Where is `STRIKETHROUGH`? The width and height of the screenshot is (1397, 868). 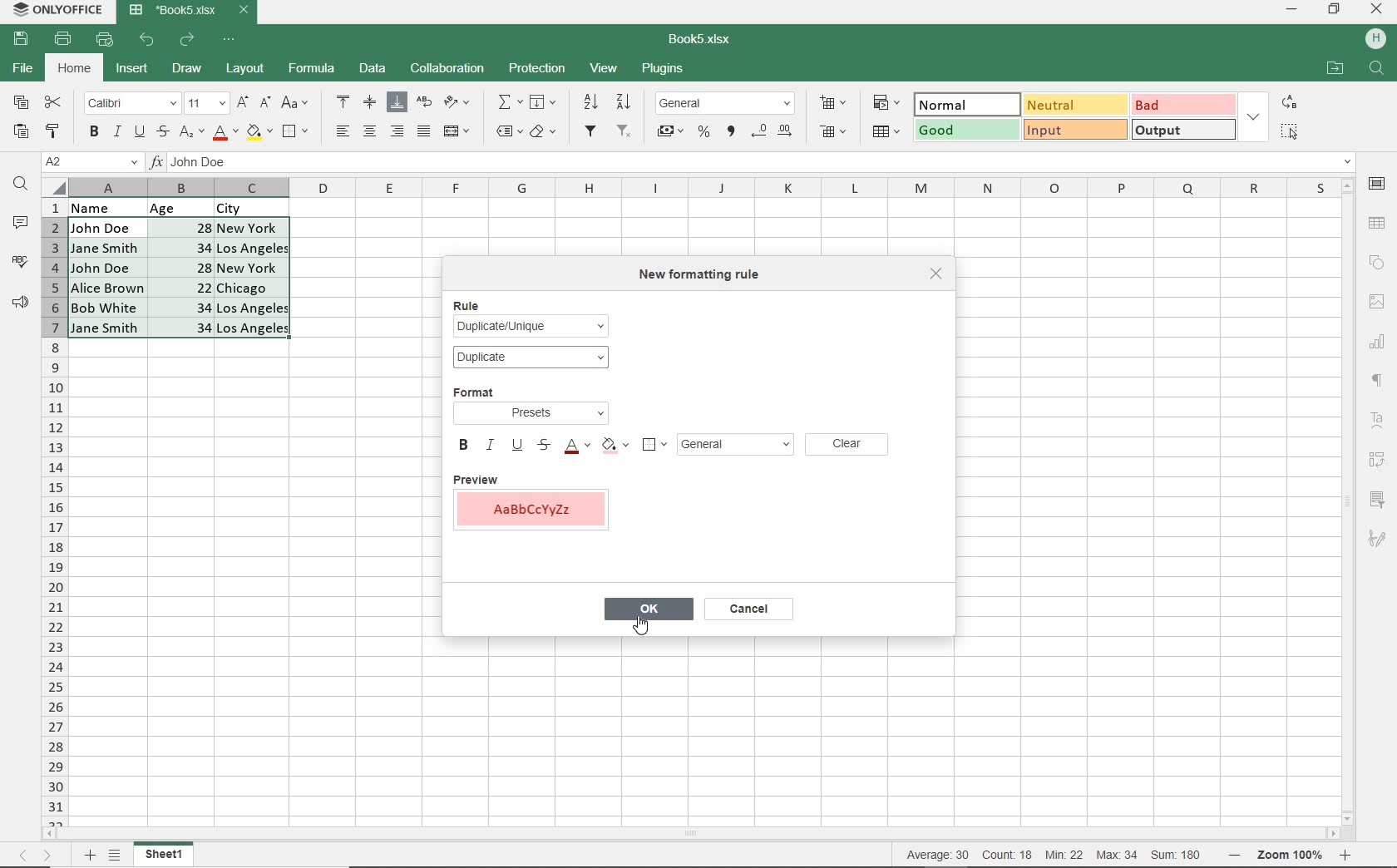
STRIKETHROUGH is located at coordinates (543, 446).